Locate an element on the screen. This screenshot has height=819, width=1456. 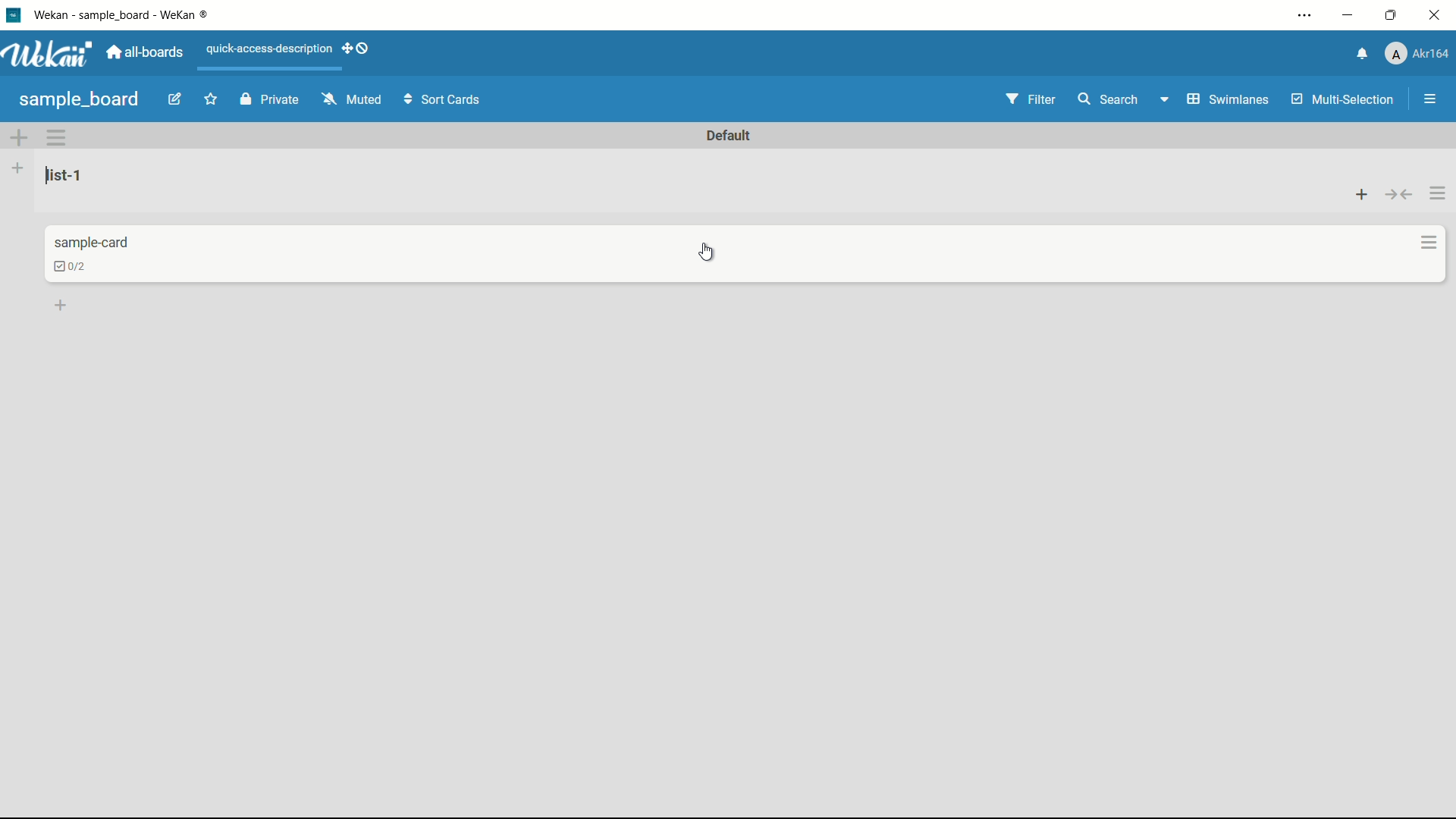
star this board is located at coordinates (212, 101).